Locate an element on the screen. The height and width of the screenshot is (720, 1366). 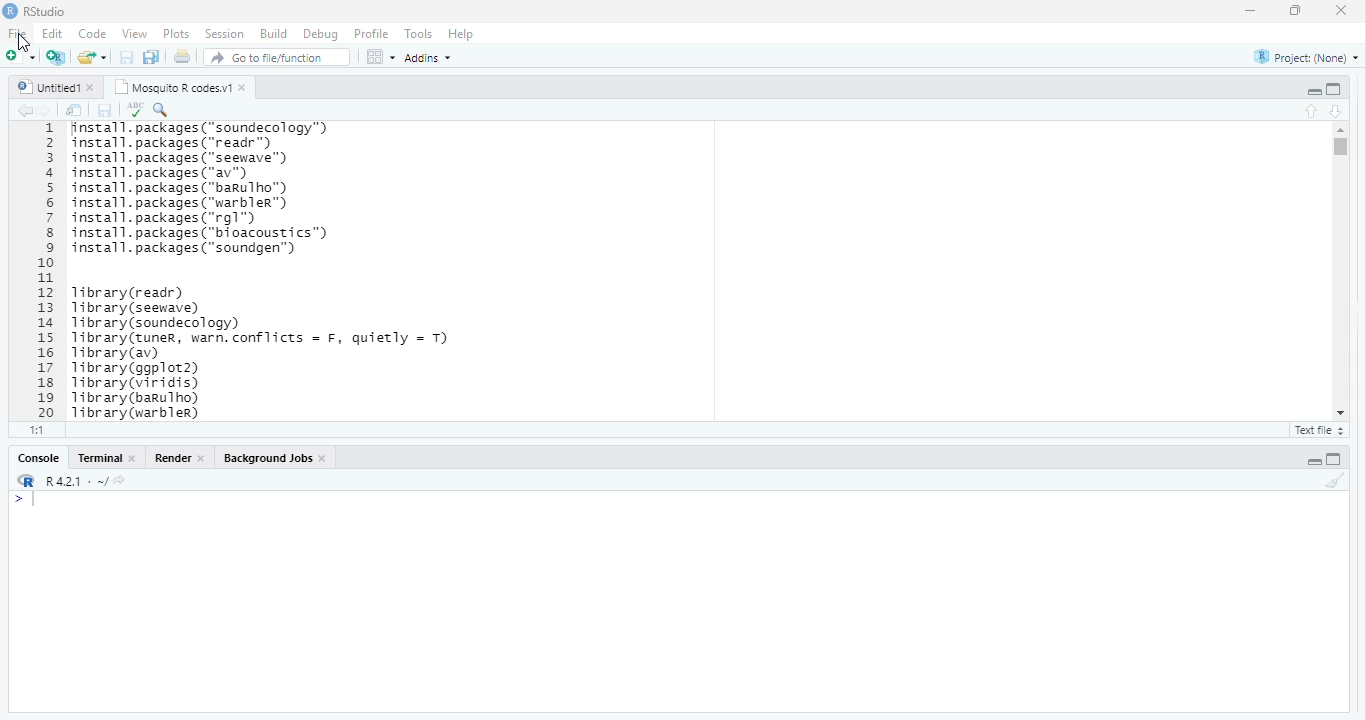
> is located at coordinates (18, 500).